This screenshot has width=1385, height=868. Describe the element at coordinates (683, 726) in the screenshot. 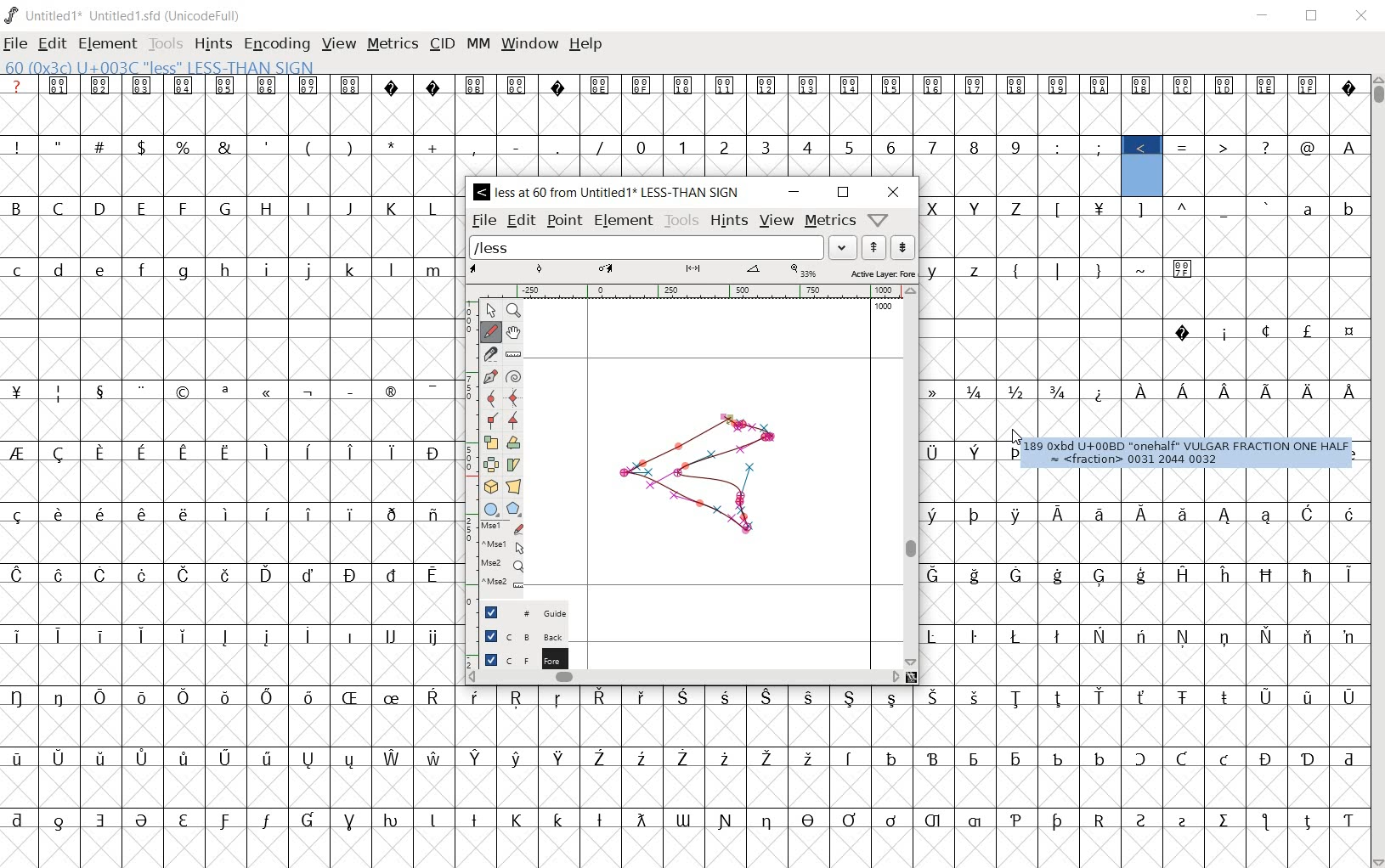

I see `empty cells` at that location.